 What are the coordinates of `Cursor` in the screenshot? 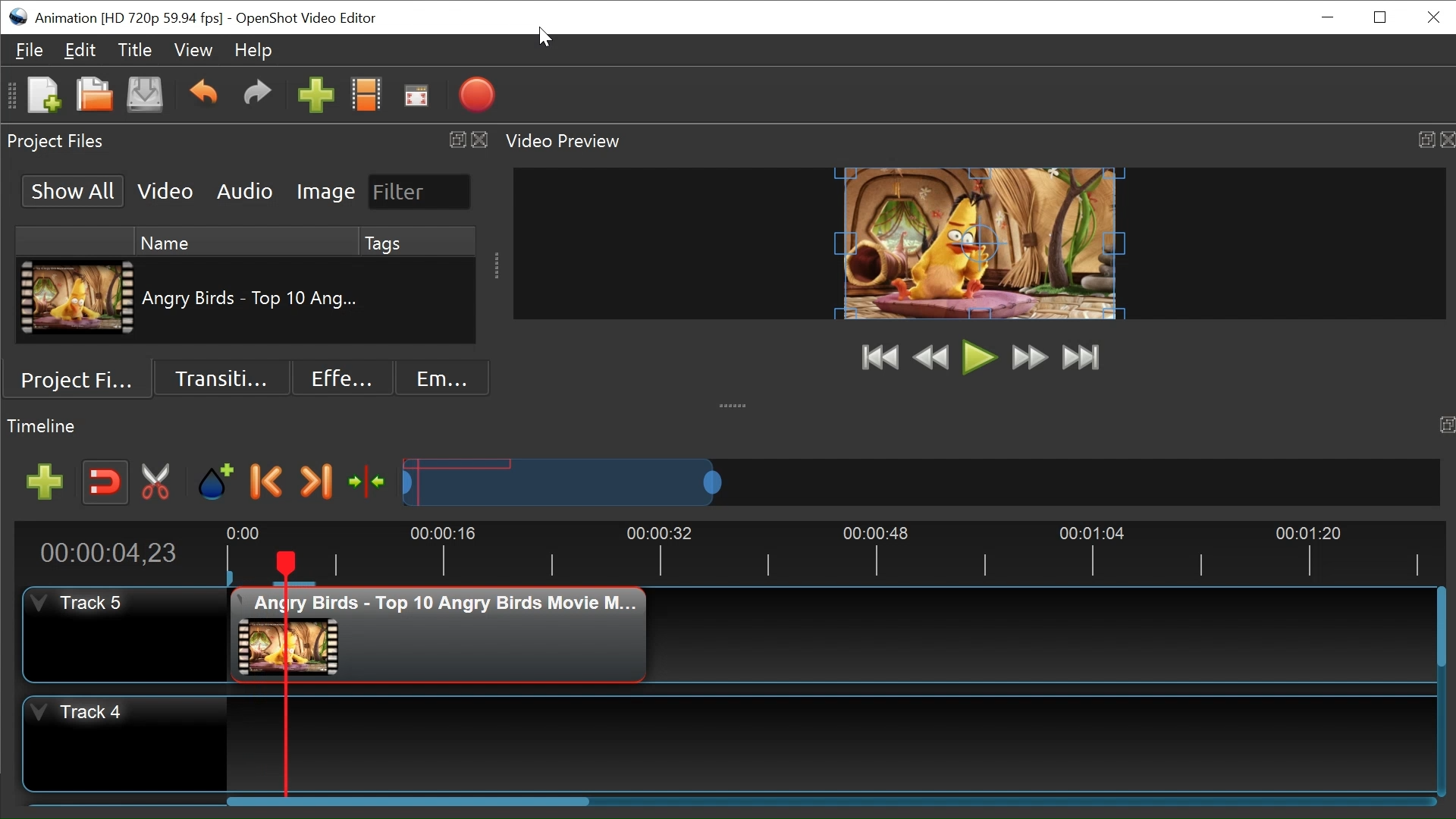 It's located at (544, 37).